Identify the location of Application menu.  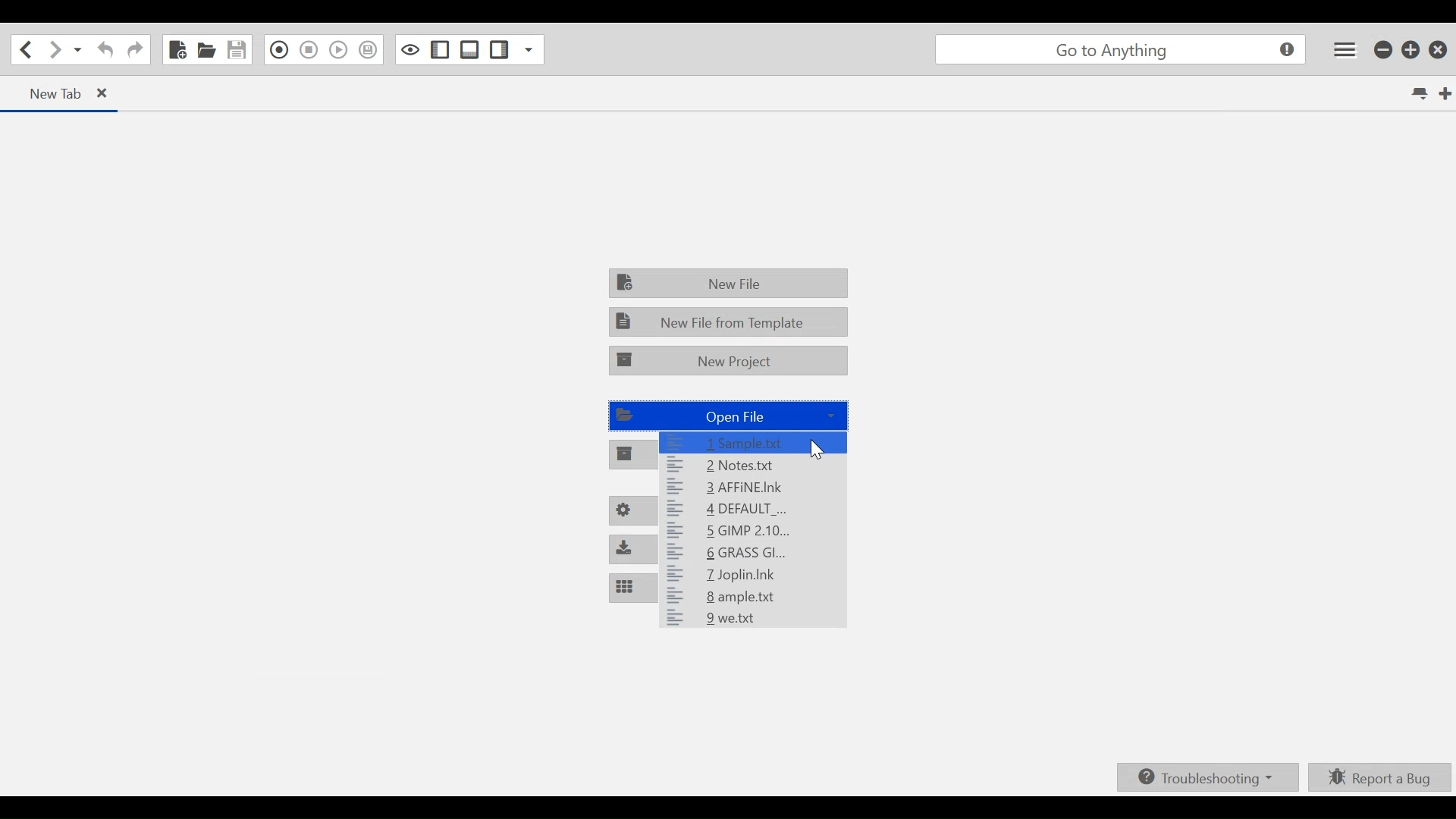
(1345, 49).